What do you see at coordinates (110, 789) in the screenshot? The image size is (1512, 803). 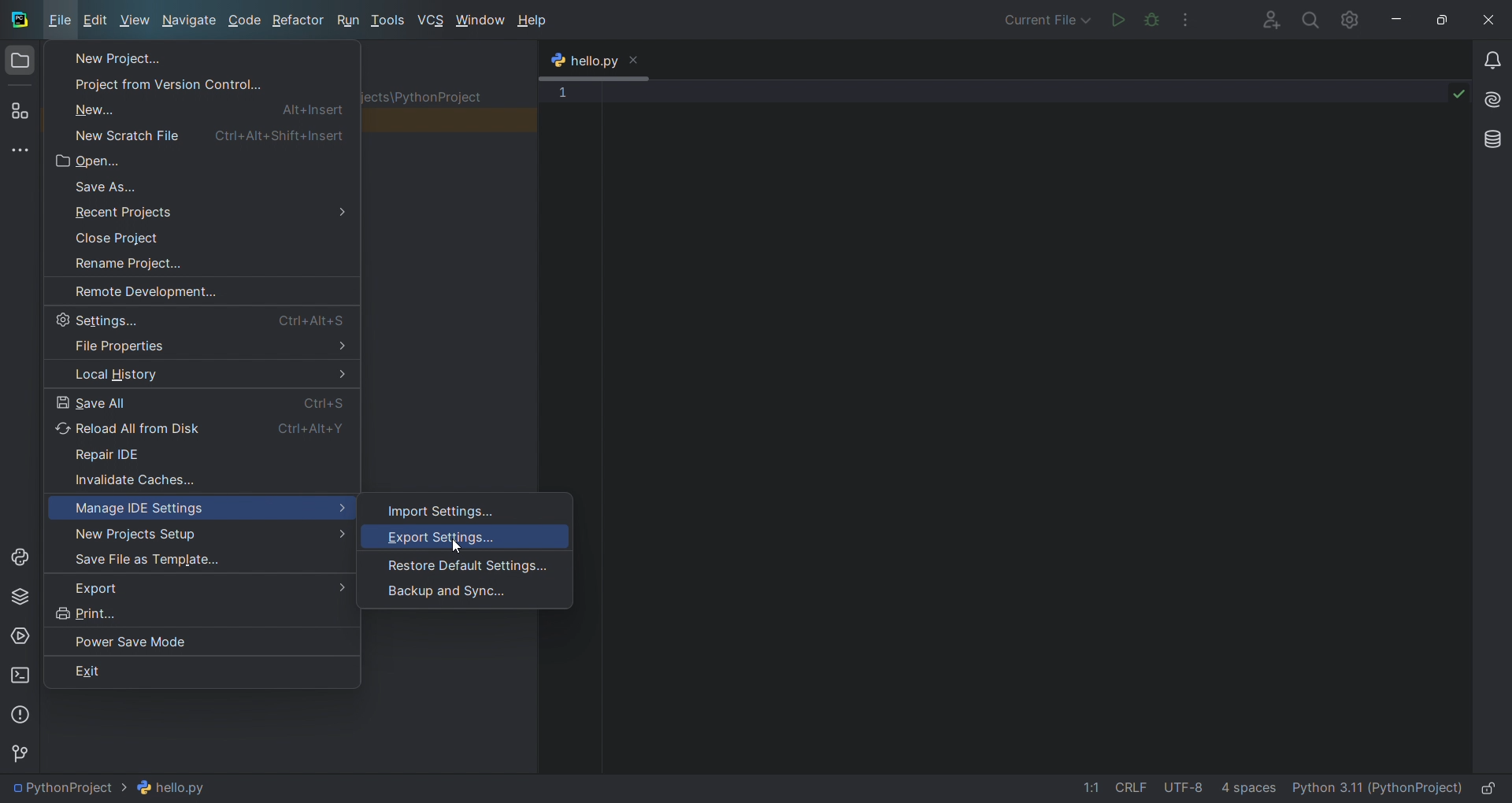 I see `file path` at bounding box center [110, 789].